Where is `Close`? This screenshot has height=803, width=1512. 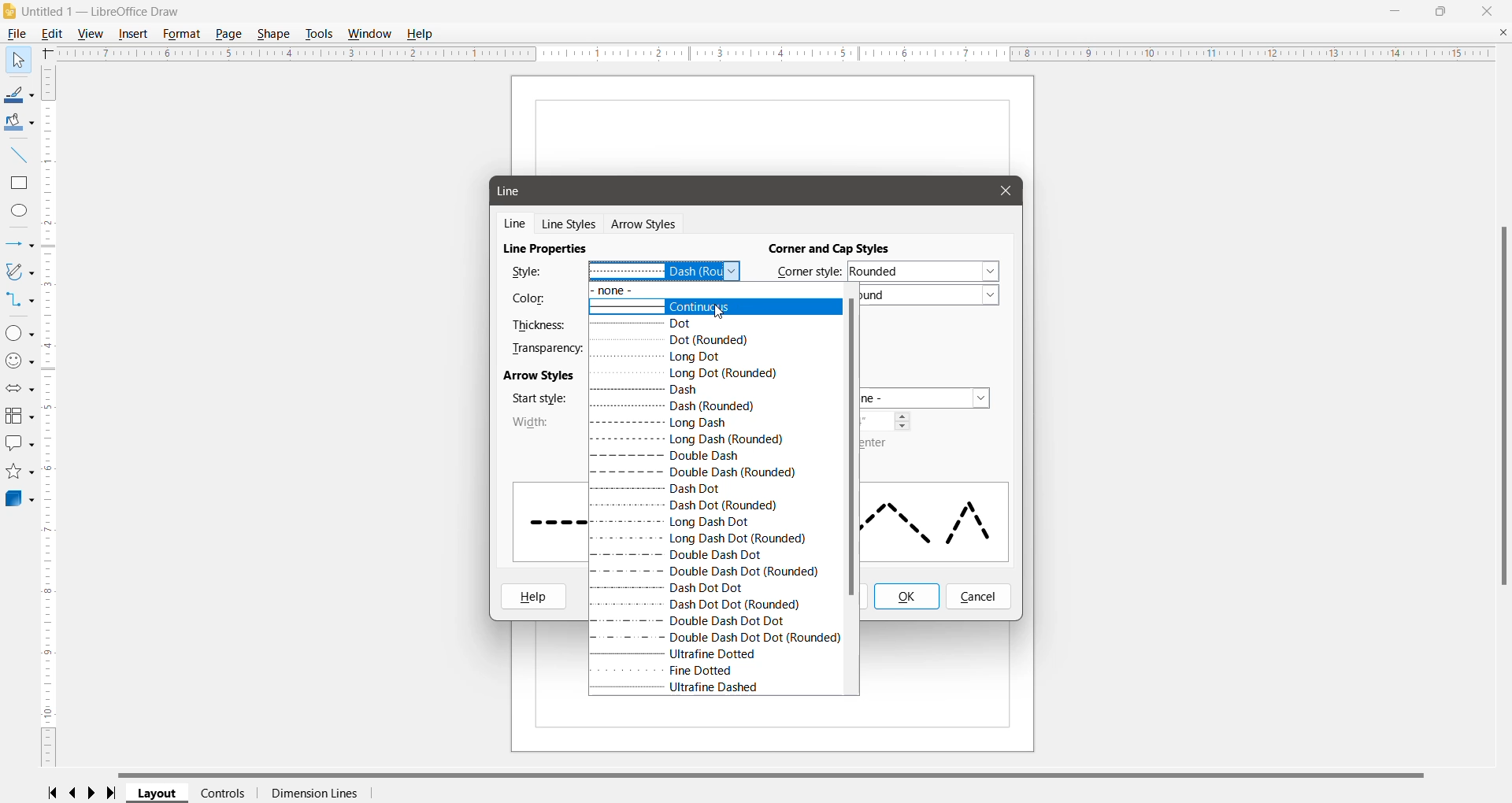 Close is located at coordinates (1488, 12).